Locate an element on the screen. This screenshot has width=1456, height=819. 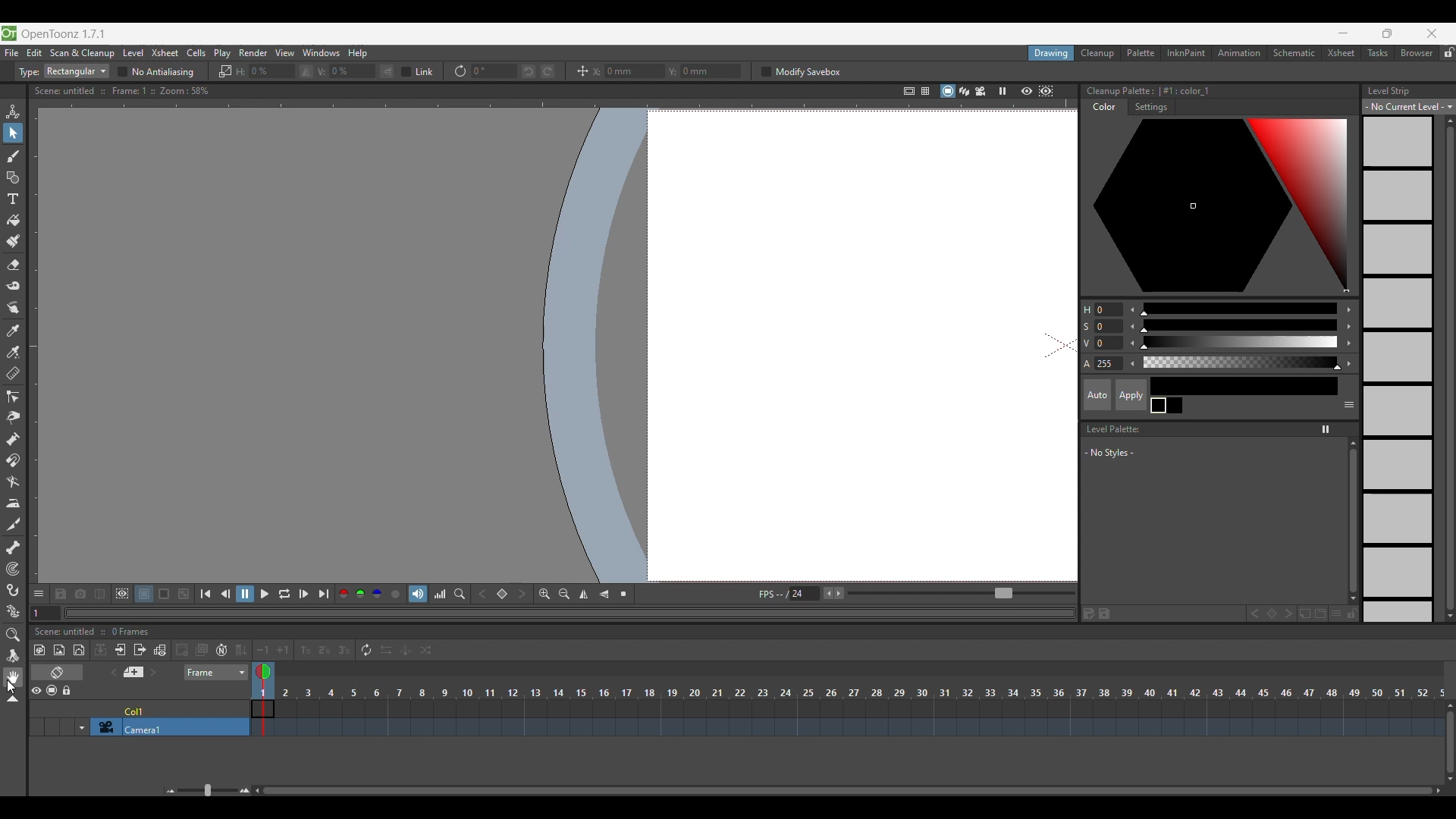
Add new memo is located at coordinates (133, 672).